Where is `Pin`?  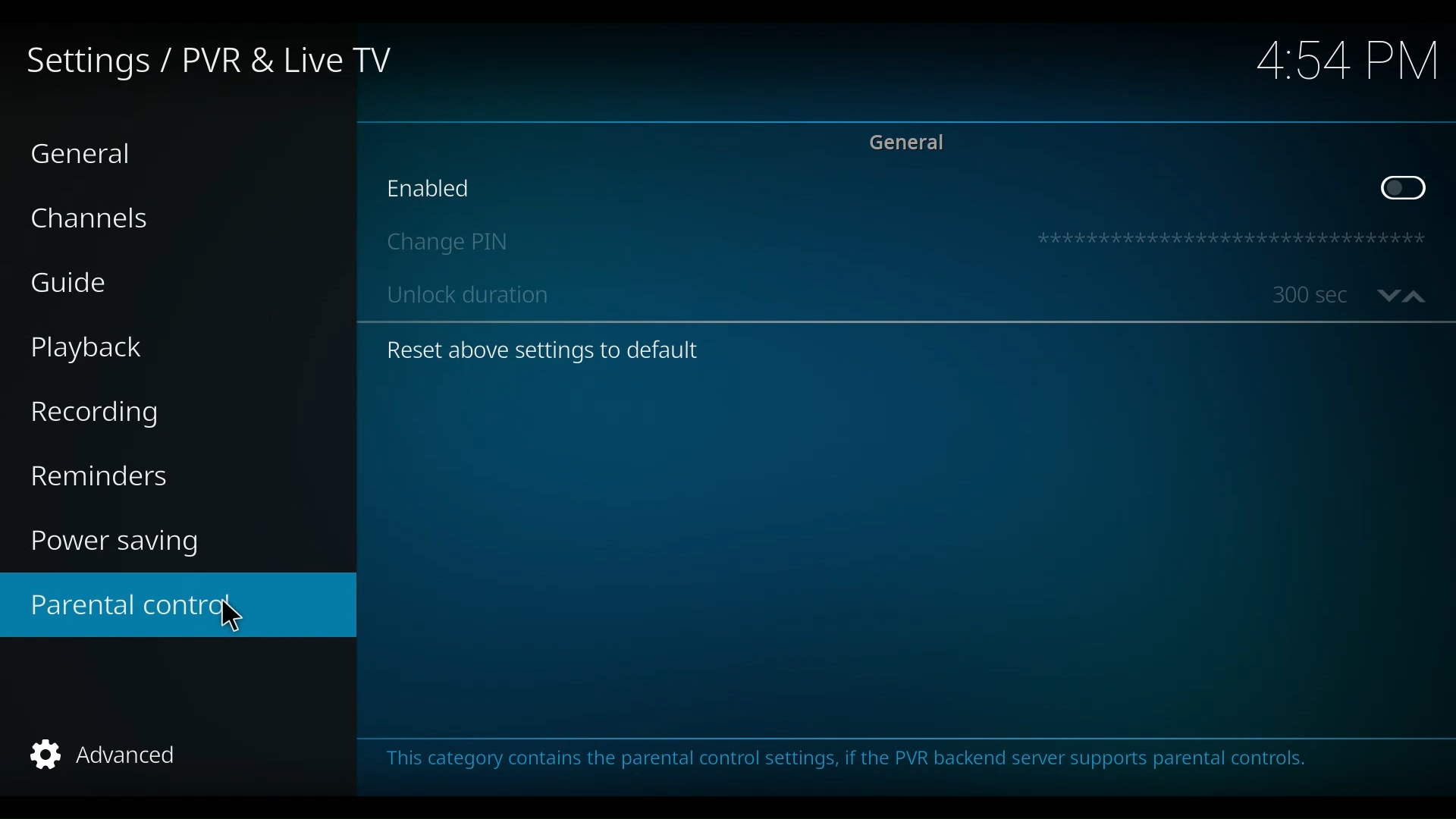 Pin is located at coordinates (1231, 242).